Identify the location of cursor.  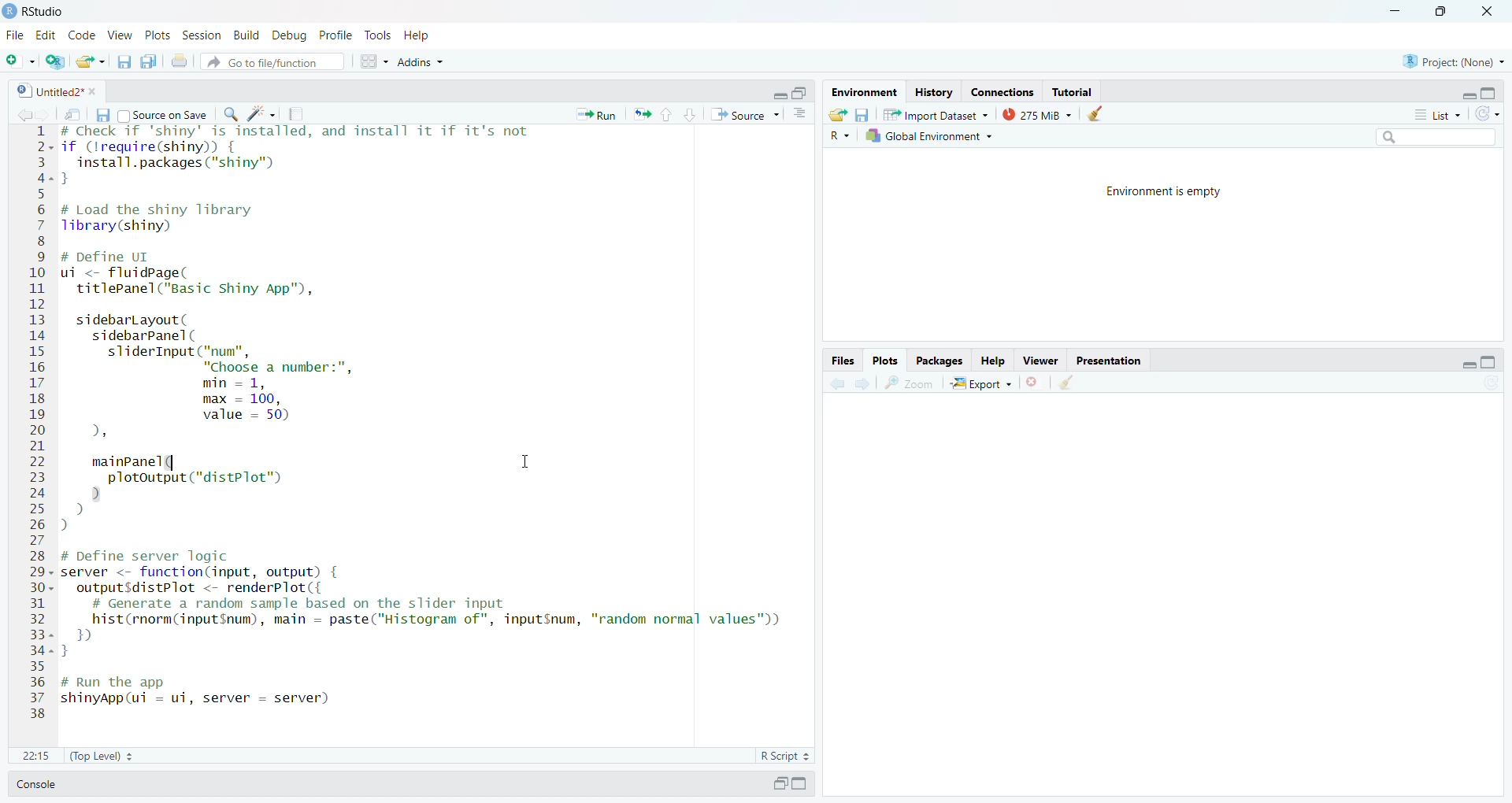
(527, 461).